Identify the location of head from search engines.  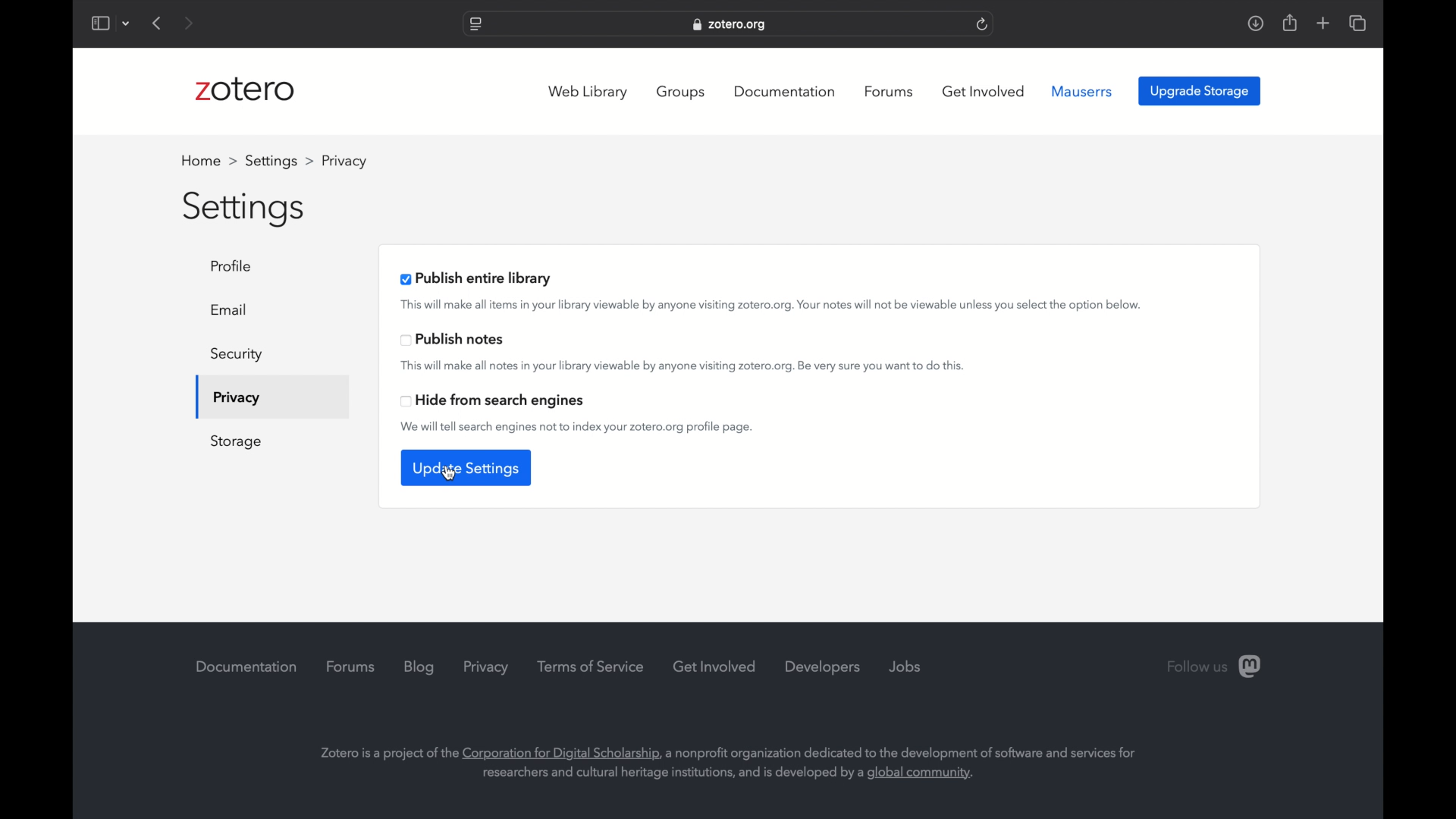
(493, 401).